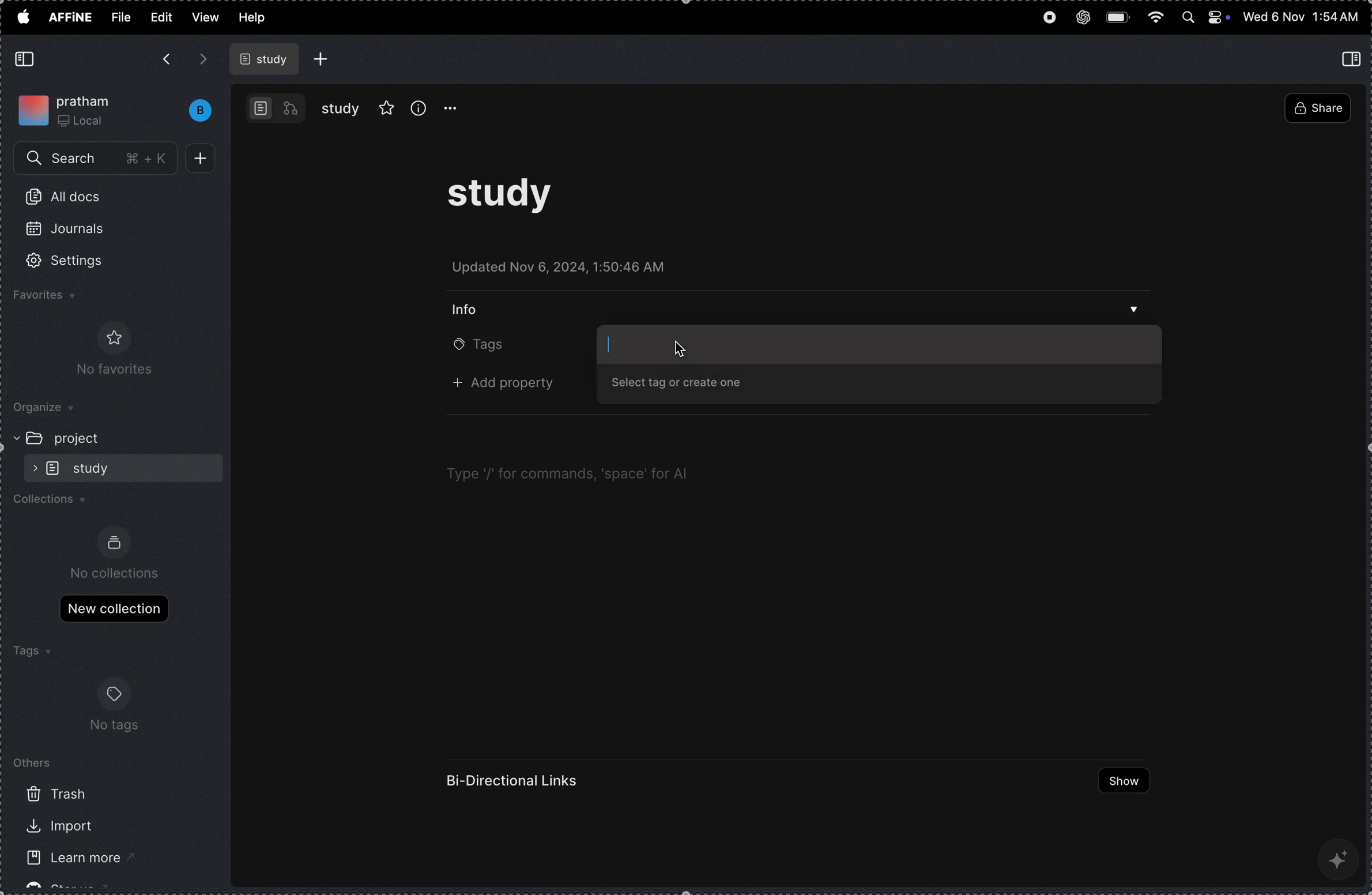  I want to click on journals, so click(73, 234).